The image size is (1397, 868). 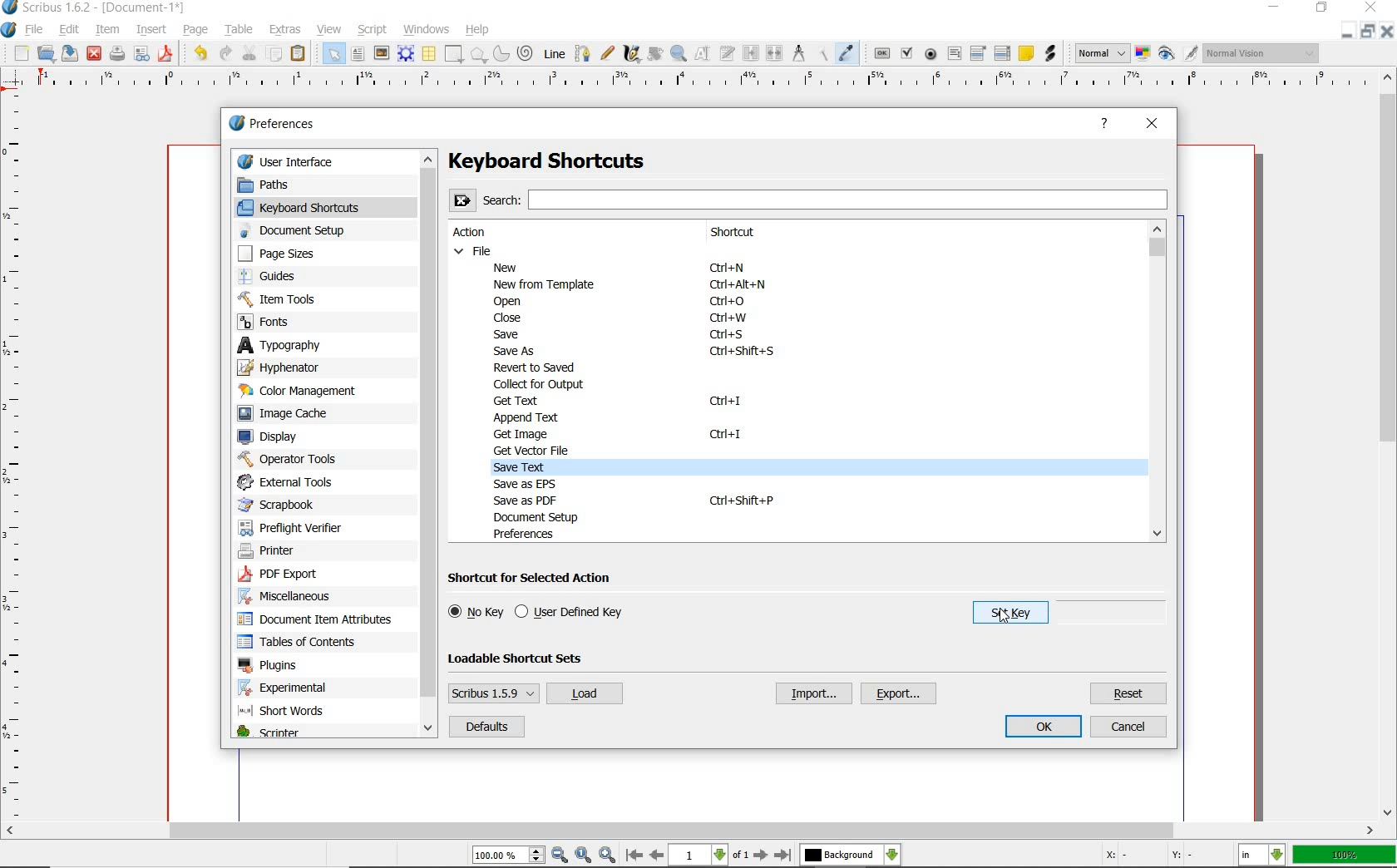 What do you see at coordinates (906, 52) in the screenshot?
I see `pdf check box` at bounding box center [906, 52].